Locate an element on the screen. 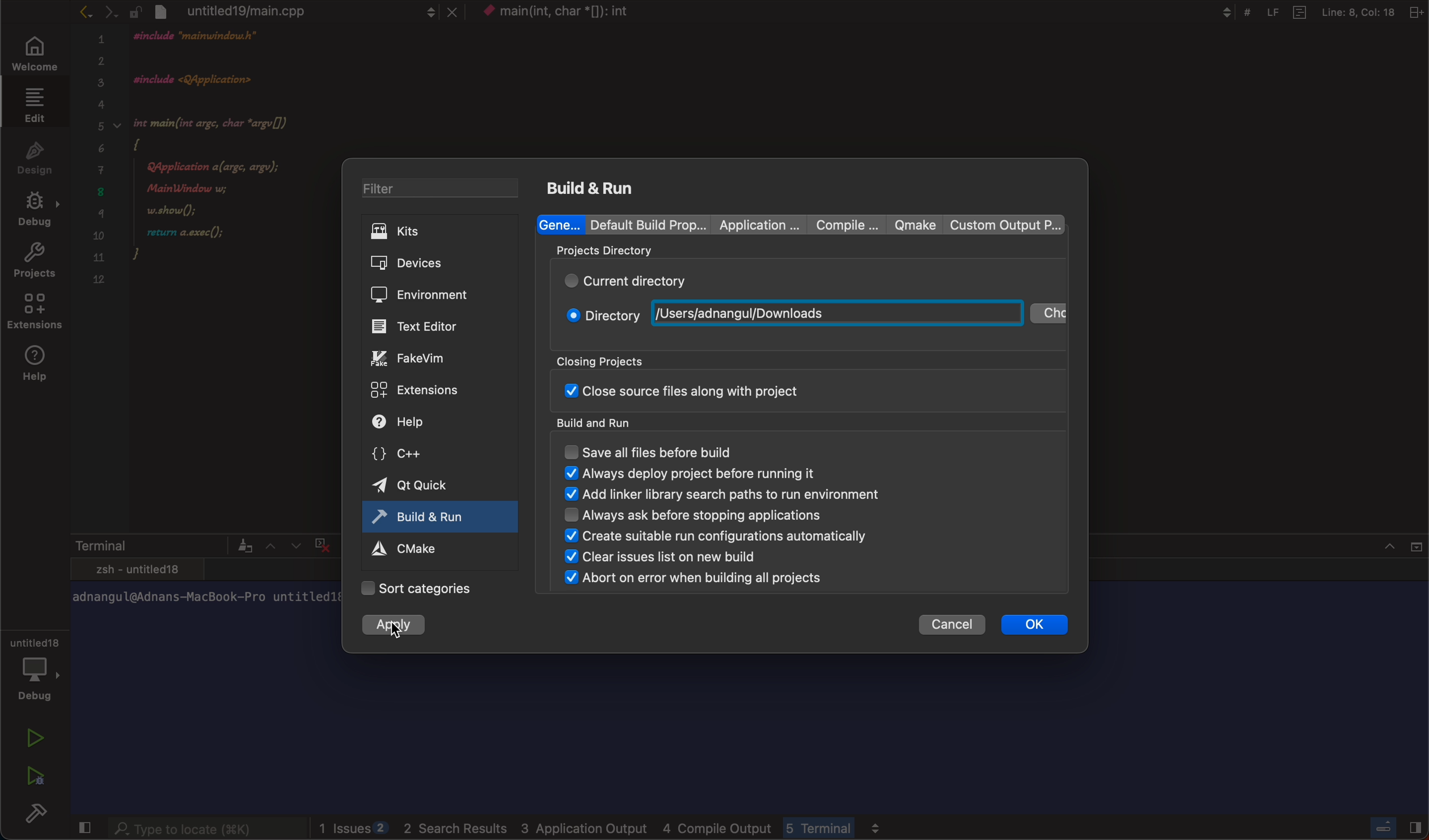 This screenshot has width=1429, height=840. current directory is located at coordinates (806, 280).